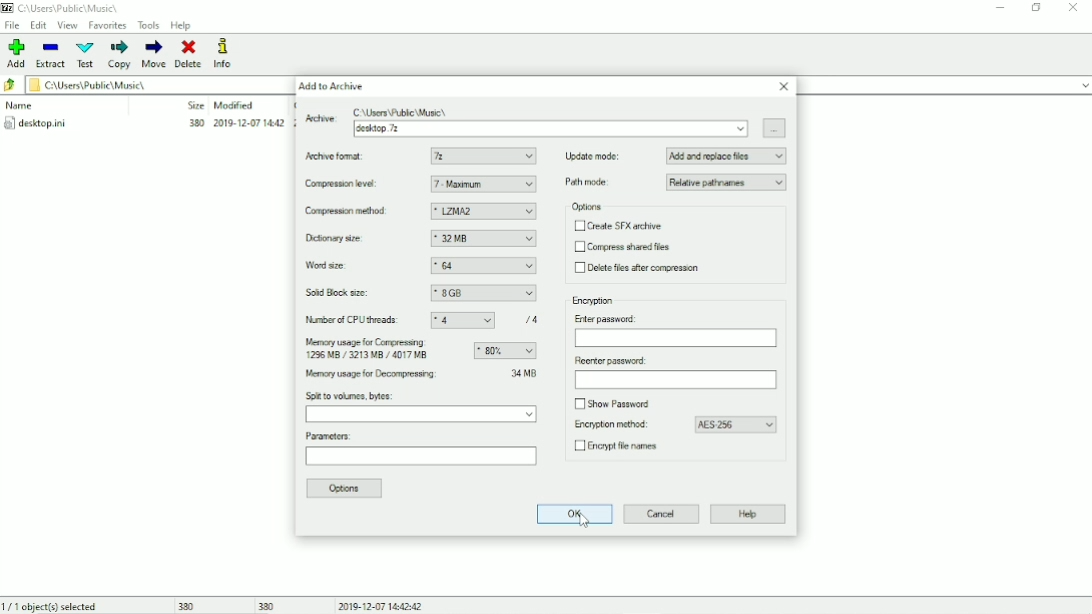  Describe the element at coordinates (463, 321) in the screenshot. I see `4` at that location.